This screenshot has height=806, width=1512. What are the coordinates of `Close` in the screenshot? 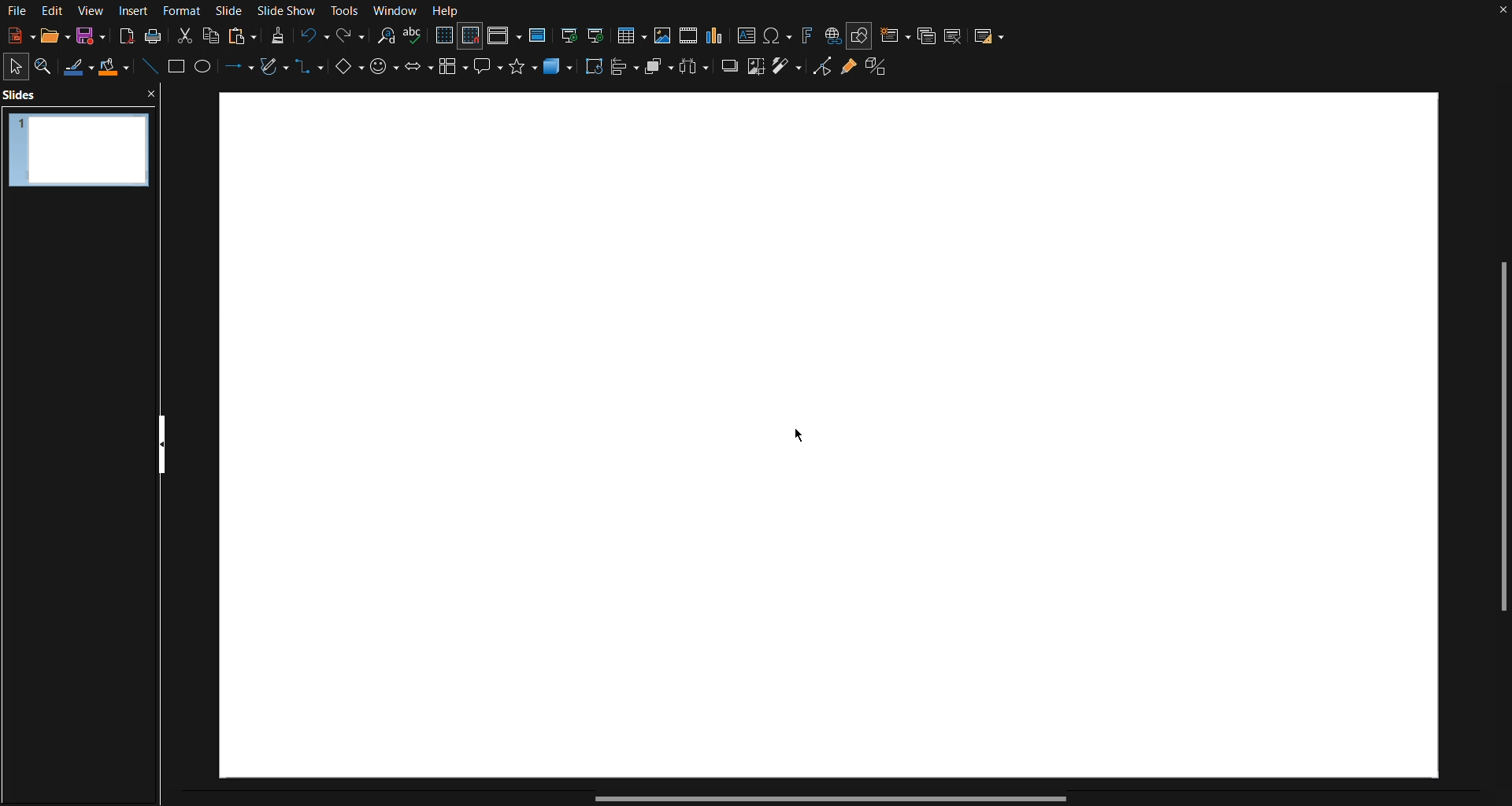 It's located at (1503, 13).